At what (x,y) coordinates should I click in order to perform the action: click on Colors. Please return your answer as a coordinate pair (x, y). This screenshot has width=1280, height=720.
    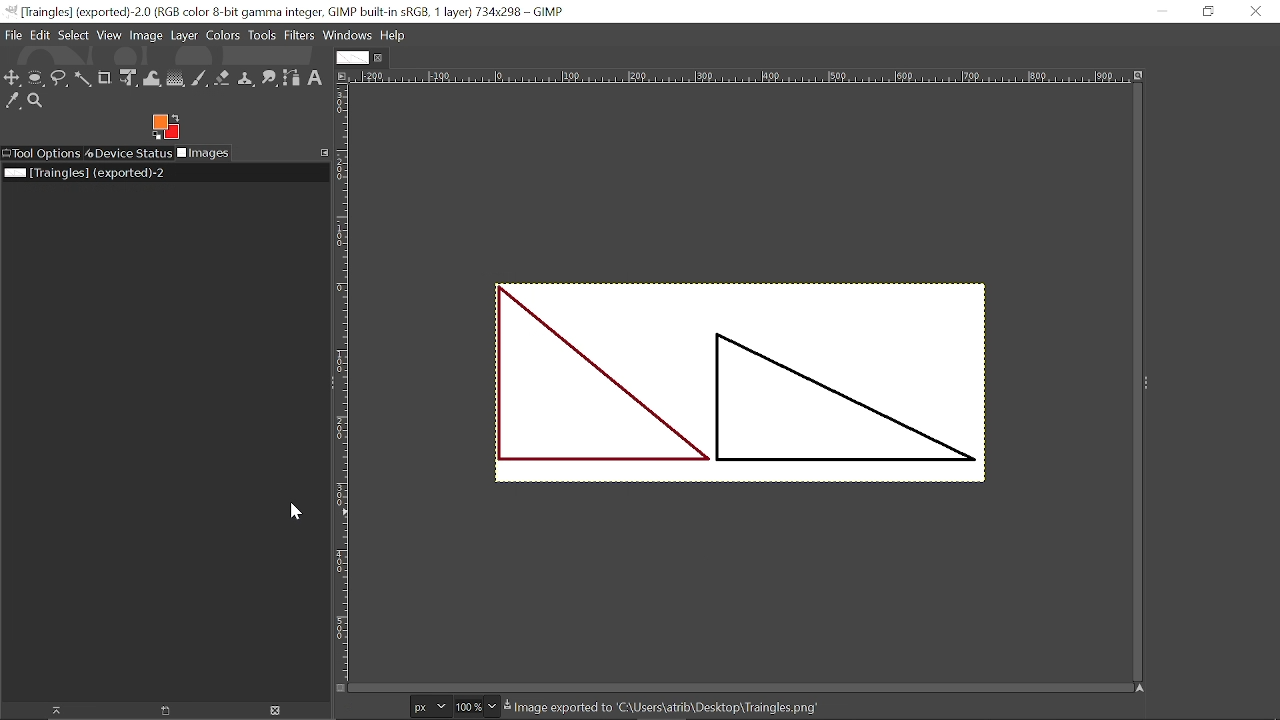
    Looking at the image, I should click on (224, 37).